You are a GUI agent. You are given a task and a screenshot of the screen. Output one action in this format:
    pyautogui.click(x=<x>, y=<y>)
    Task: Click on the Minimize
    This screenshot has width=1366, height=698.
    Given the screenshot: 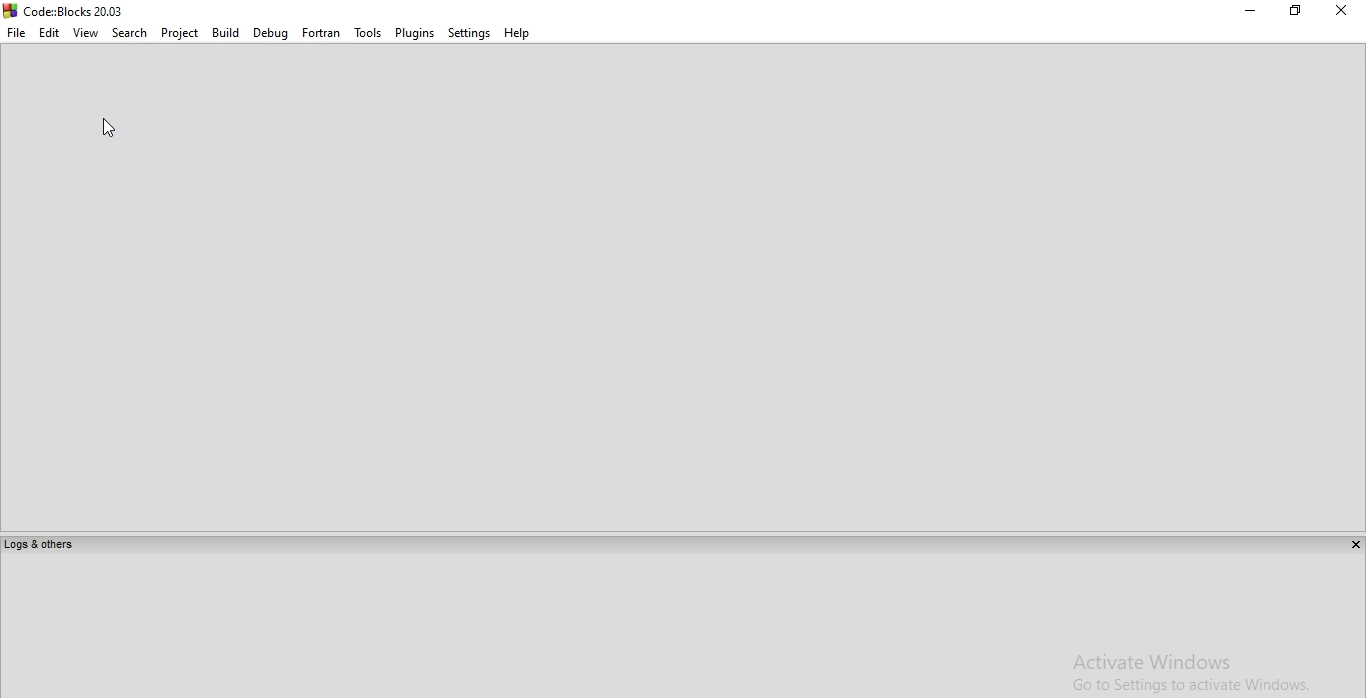 What is the action you would take?
    pyautogui.click(x=1251, y=11)
    